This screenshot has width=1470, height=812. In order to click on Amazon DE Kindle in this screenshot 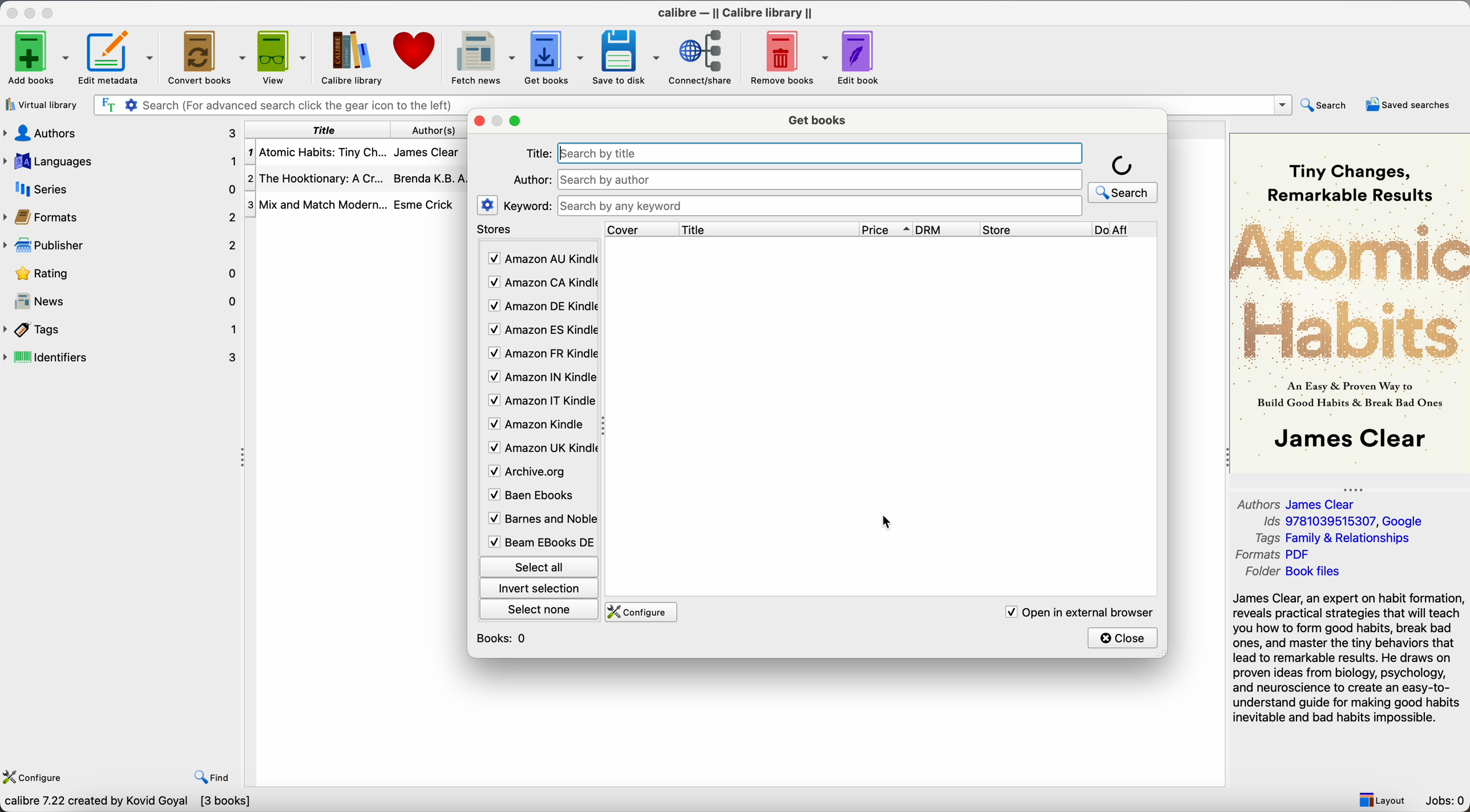, I will do `click(541, 308)`.